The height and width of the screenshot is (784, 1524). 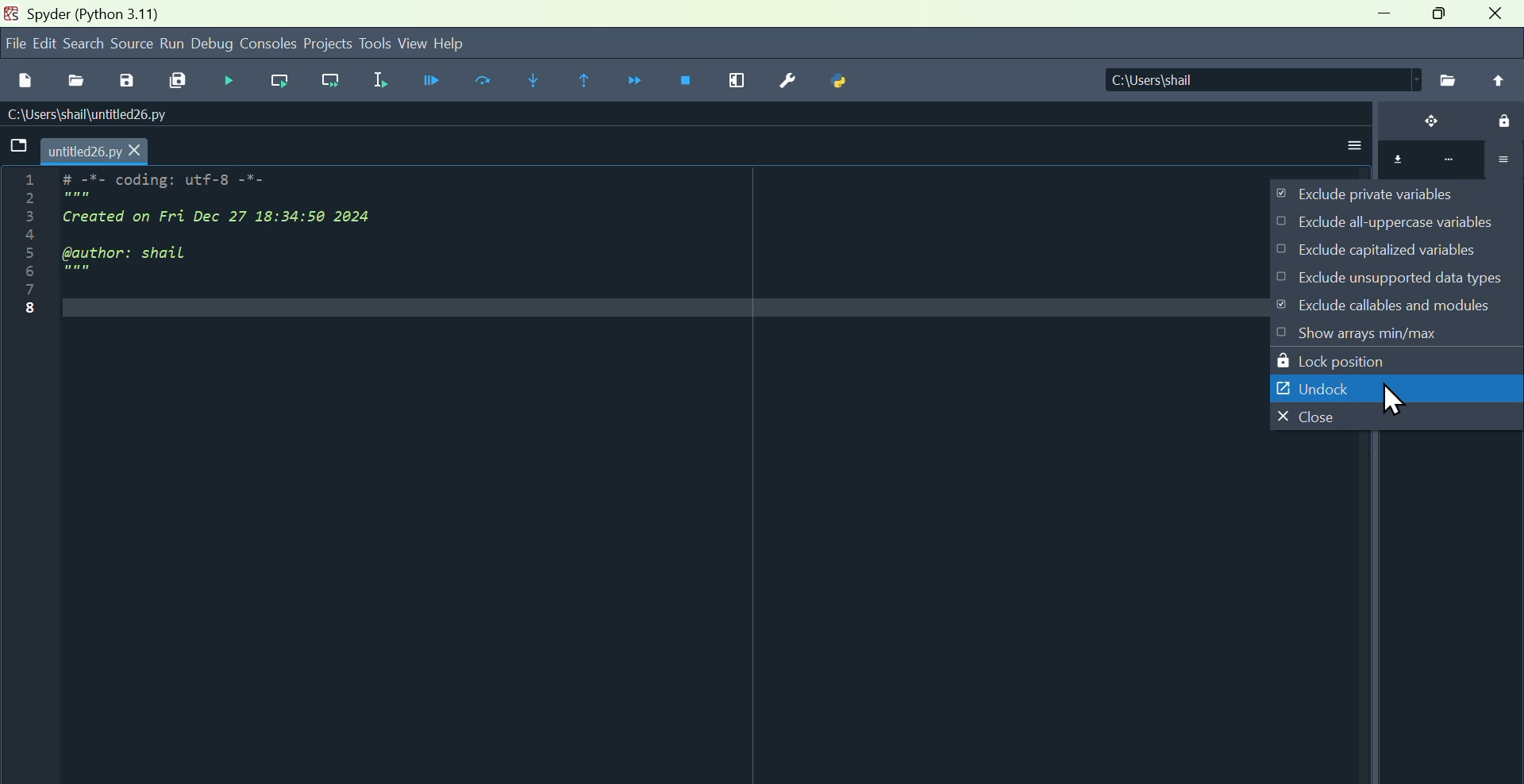 What do you see at coordinates (587, 79) in the screenshot?
I see `continue execution until same function returns` at bounding box center [587, 79].